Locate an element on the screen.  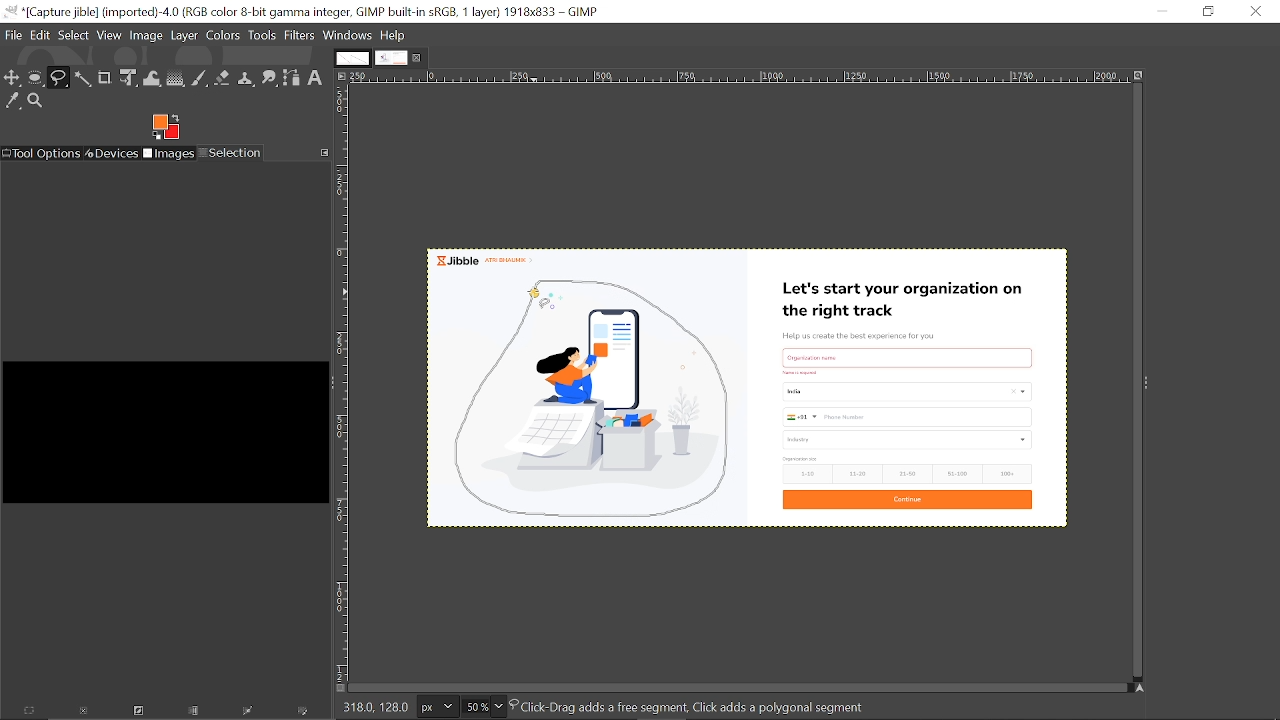
Current window is located at coordinates (302, 12).